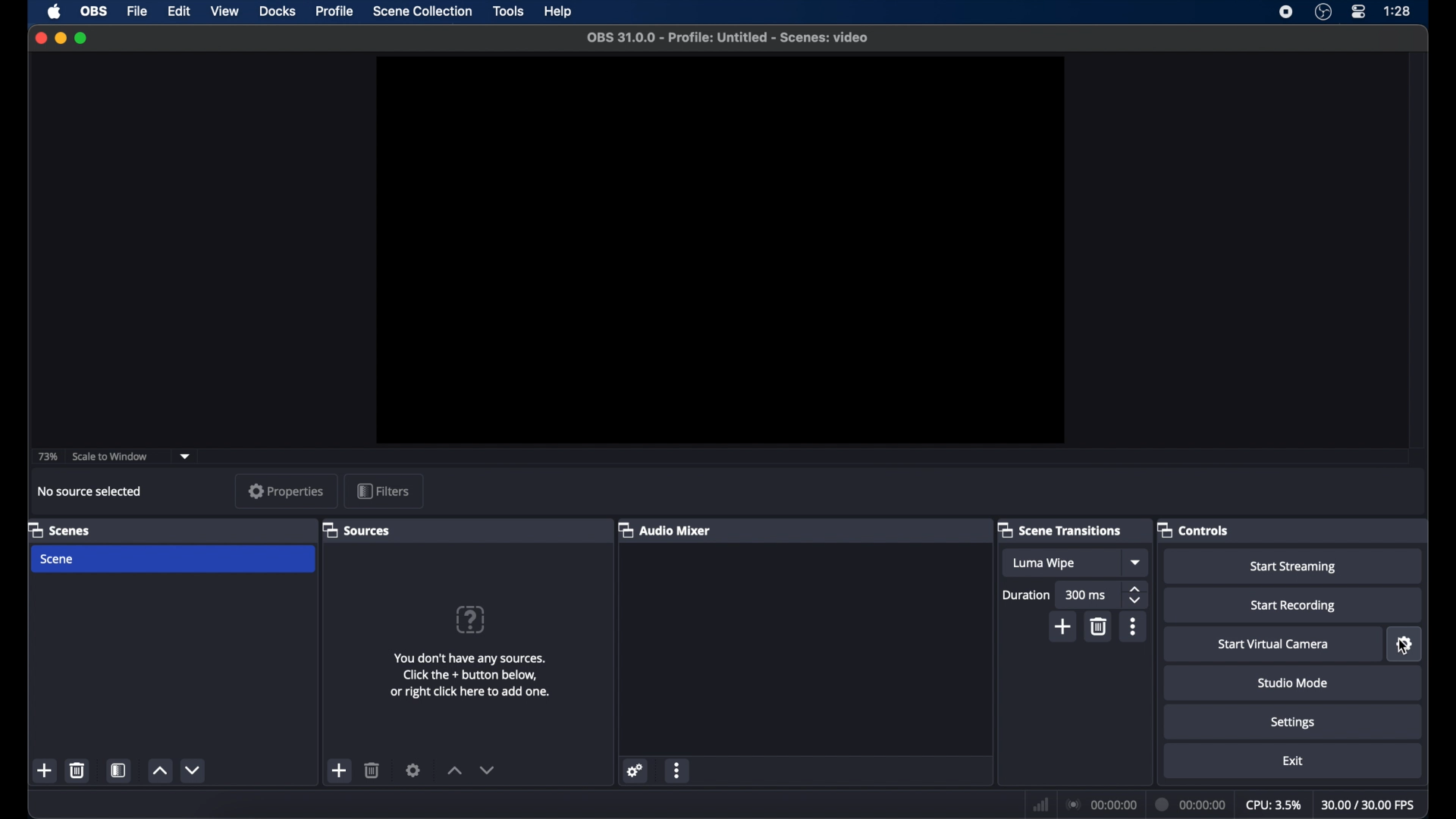 The width and height of the screenshot is (1456, 819). Describe the element at coordinates (1359, 12) in the screenshot. I see `control center` at that location.